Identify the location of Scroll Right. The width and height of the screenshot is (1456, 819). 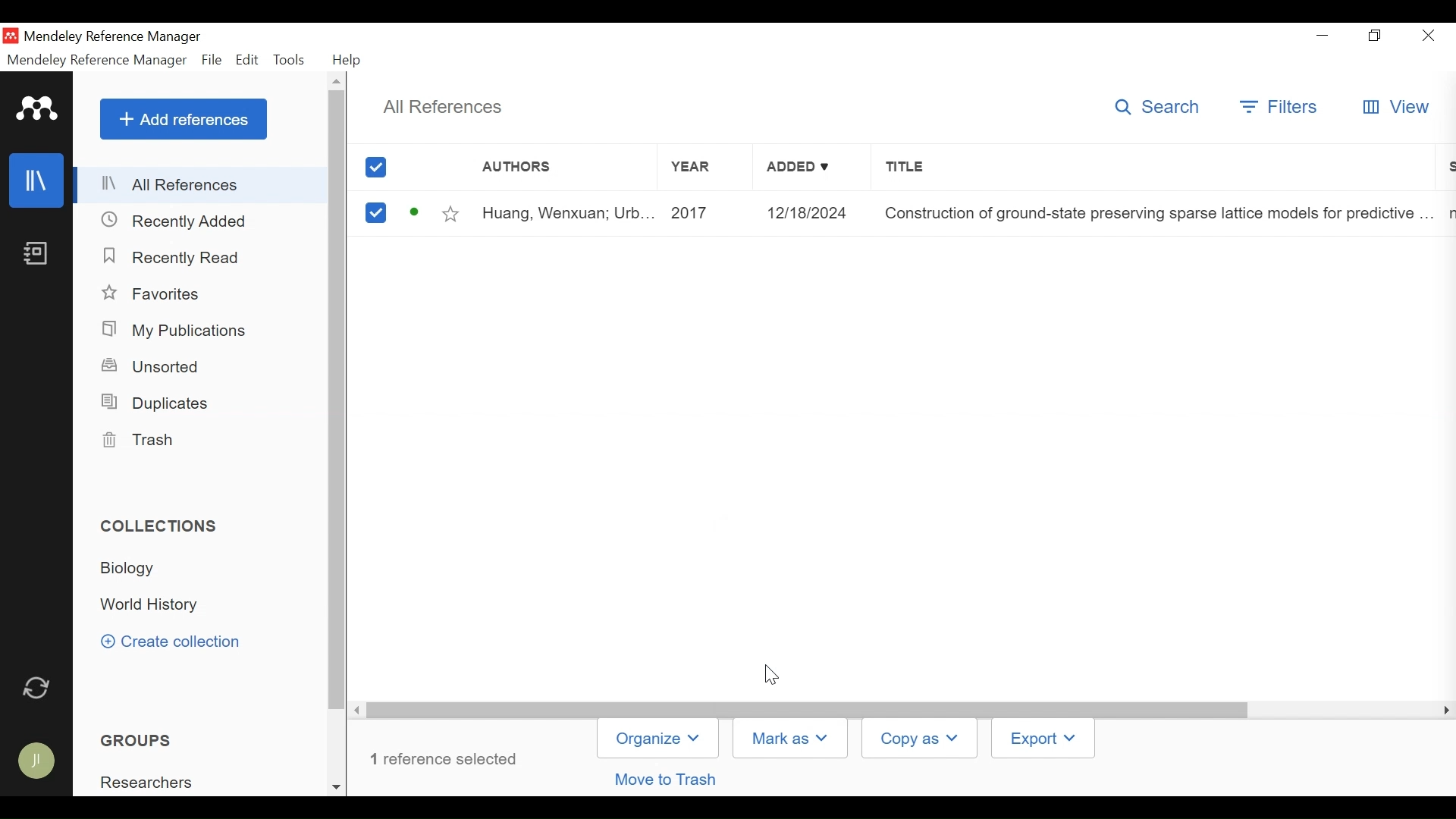
(354, 709).